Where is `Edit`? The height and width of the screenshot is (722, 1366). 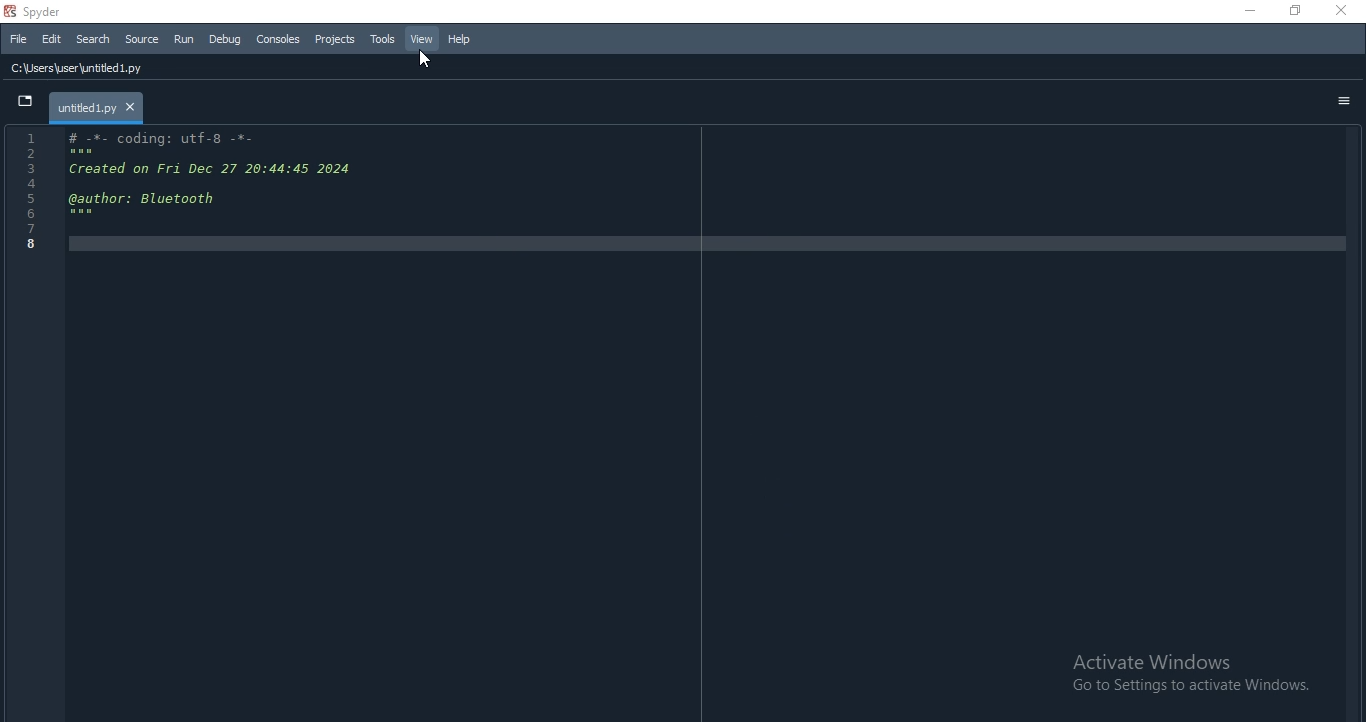
Edit is located at coordinates (50, 40).